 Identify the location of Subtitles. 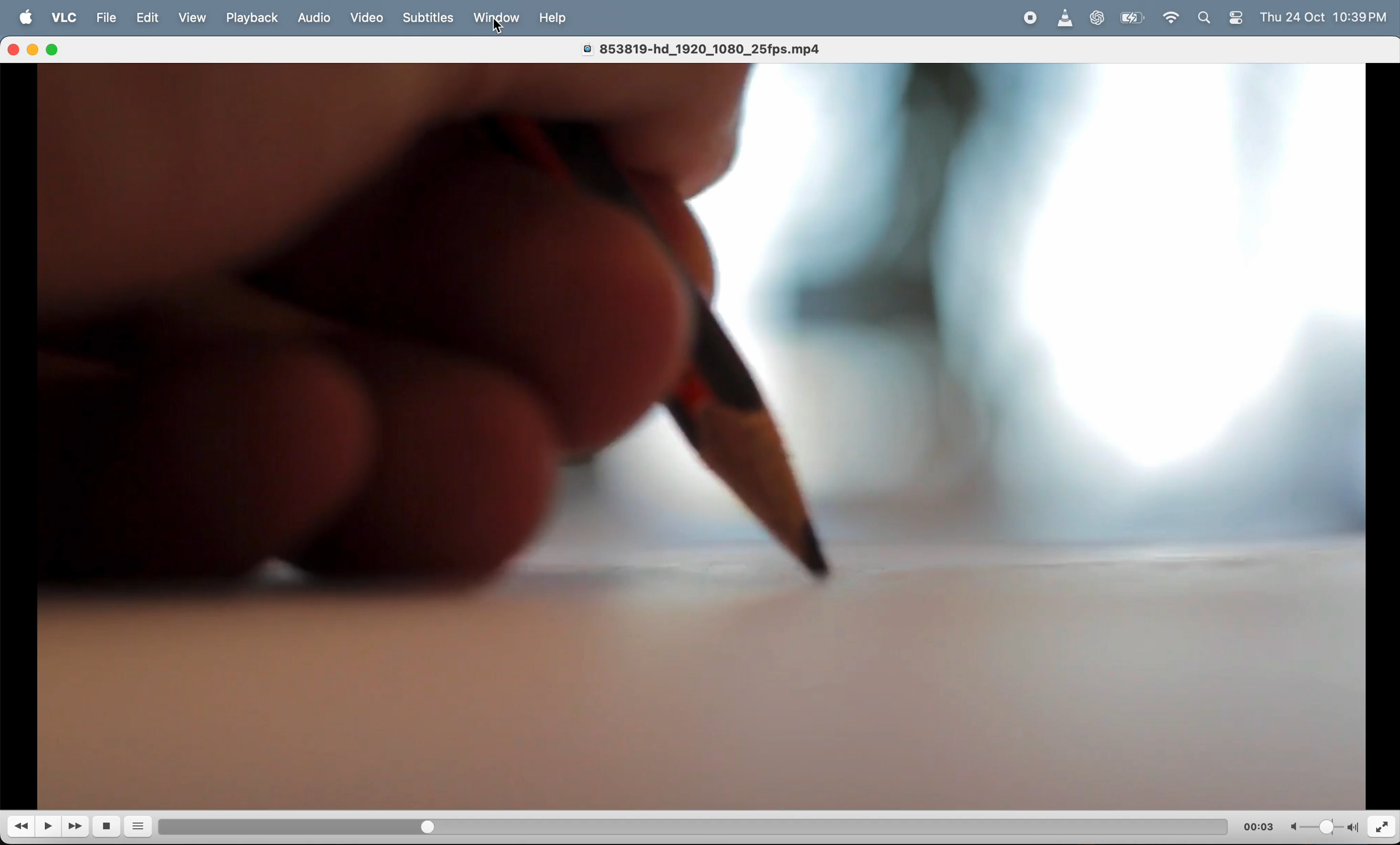
(431, 18).